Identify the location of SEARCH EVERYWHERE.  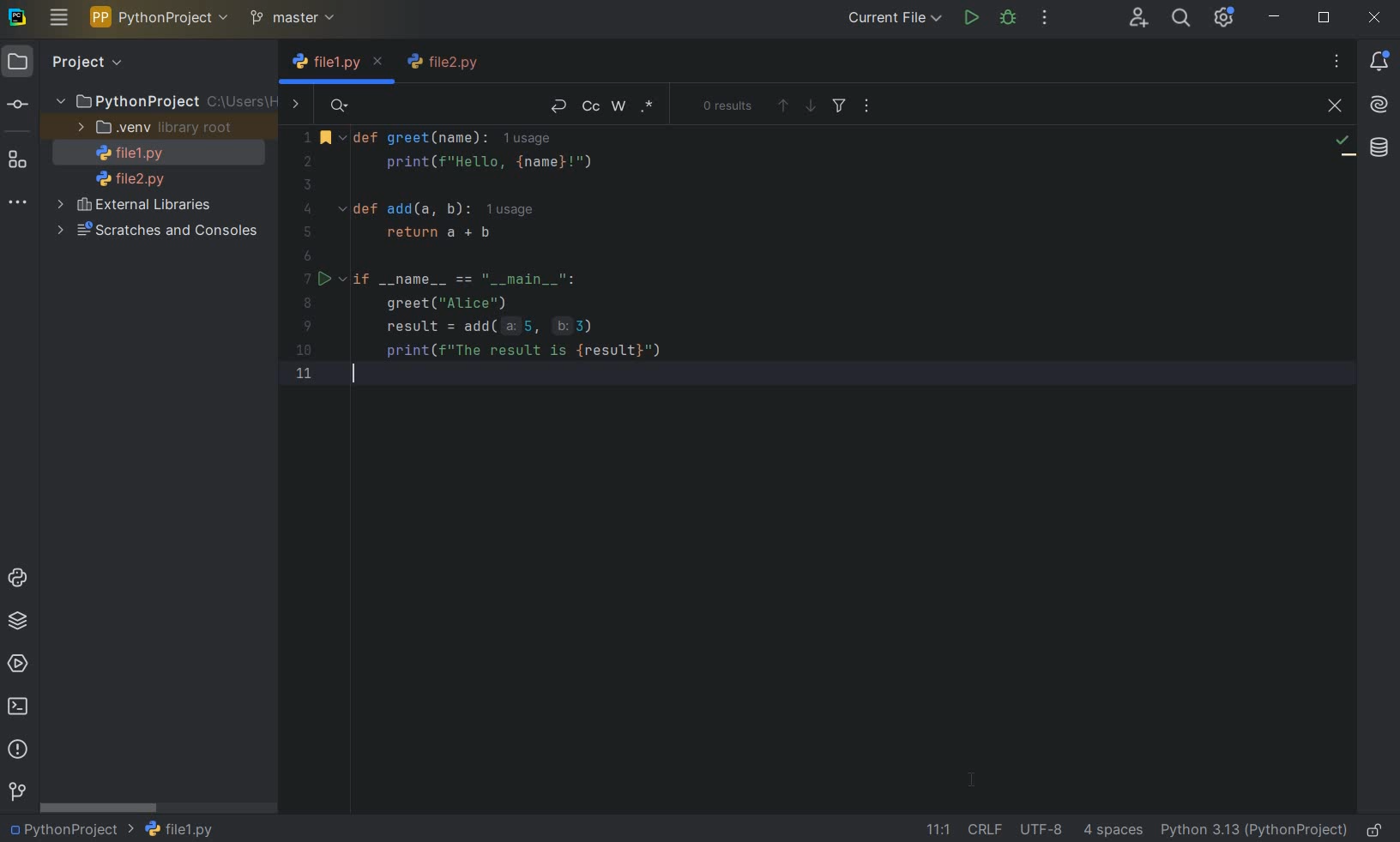
(1180, 18).